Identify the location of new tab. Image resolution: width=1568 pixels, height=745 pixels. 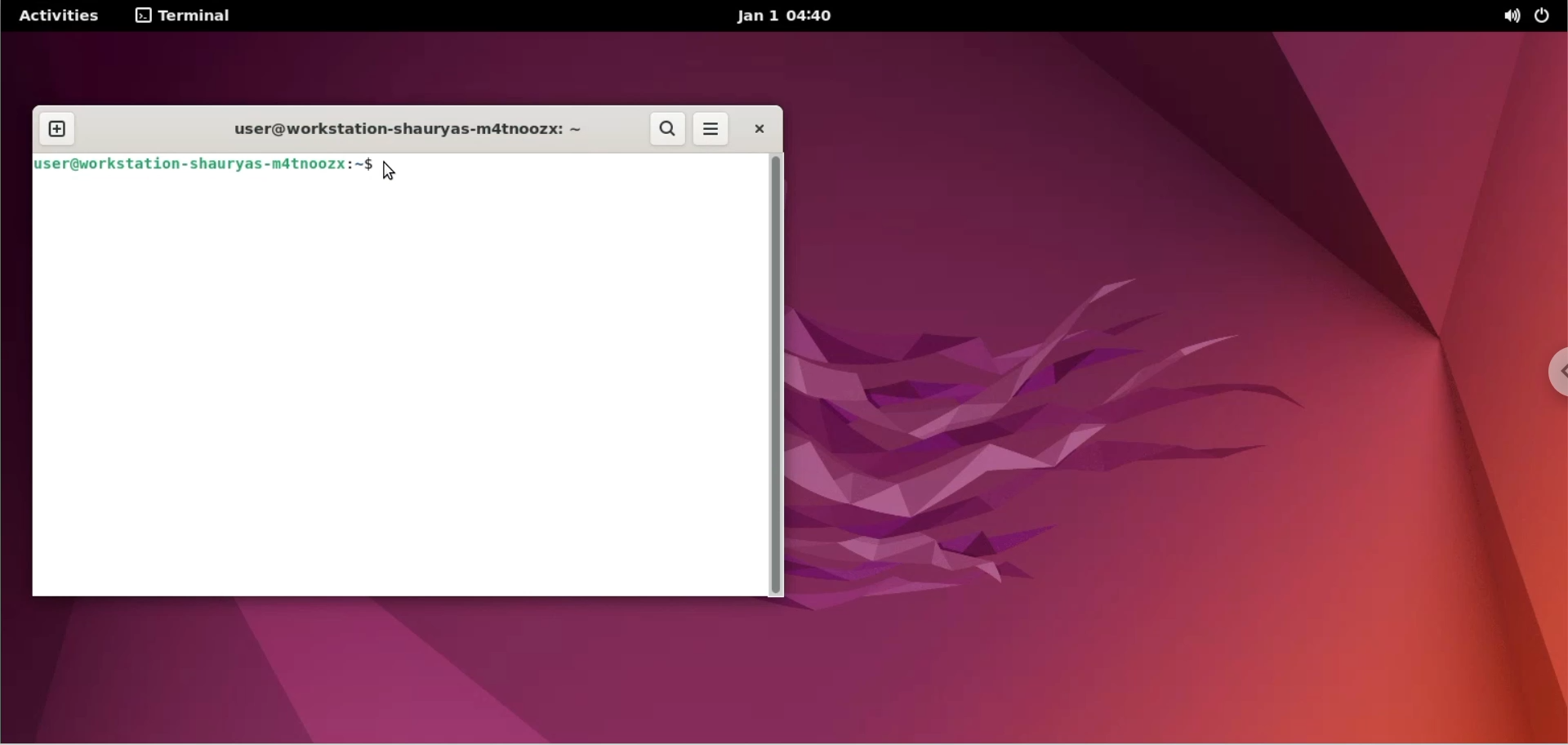
(58, 131).